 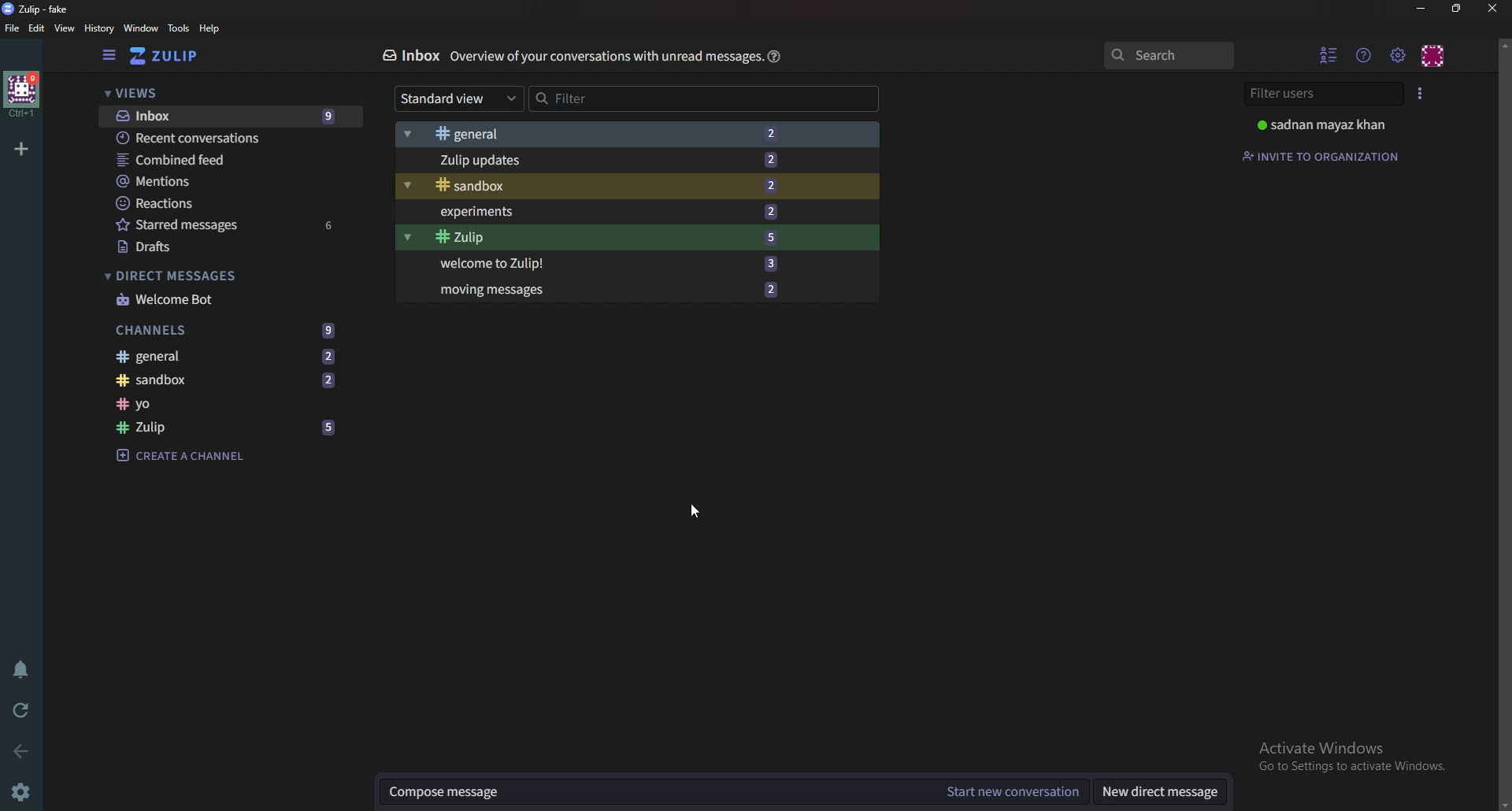 I want to click on Mentions, so click(x=213, y=183).